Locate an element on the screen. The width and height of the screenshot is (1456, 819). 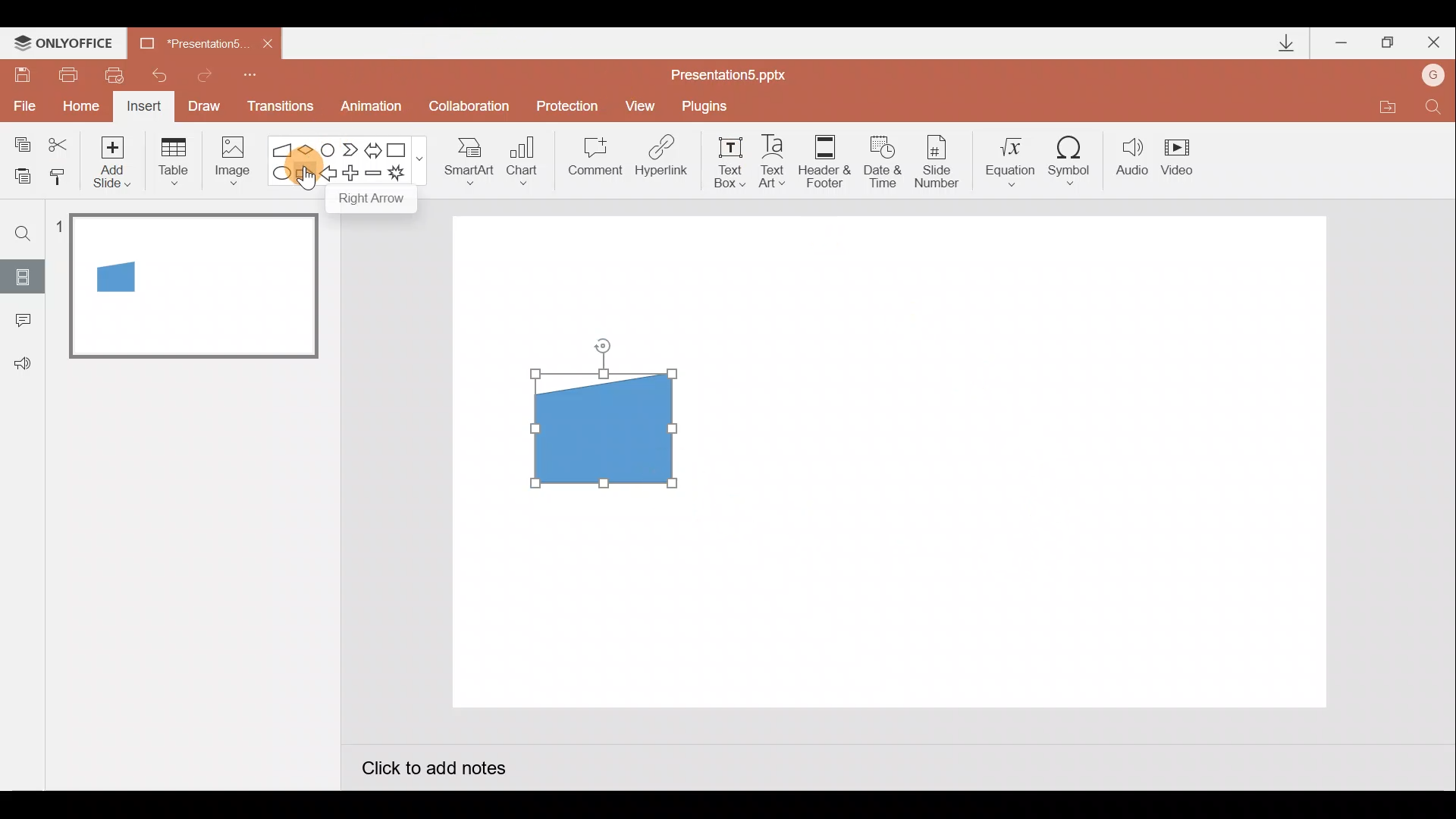
Paste is located at coordinates (18, 174).